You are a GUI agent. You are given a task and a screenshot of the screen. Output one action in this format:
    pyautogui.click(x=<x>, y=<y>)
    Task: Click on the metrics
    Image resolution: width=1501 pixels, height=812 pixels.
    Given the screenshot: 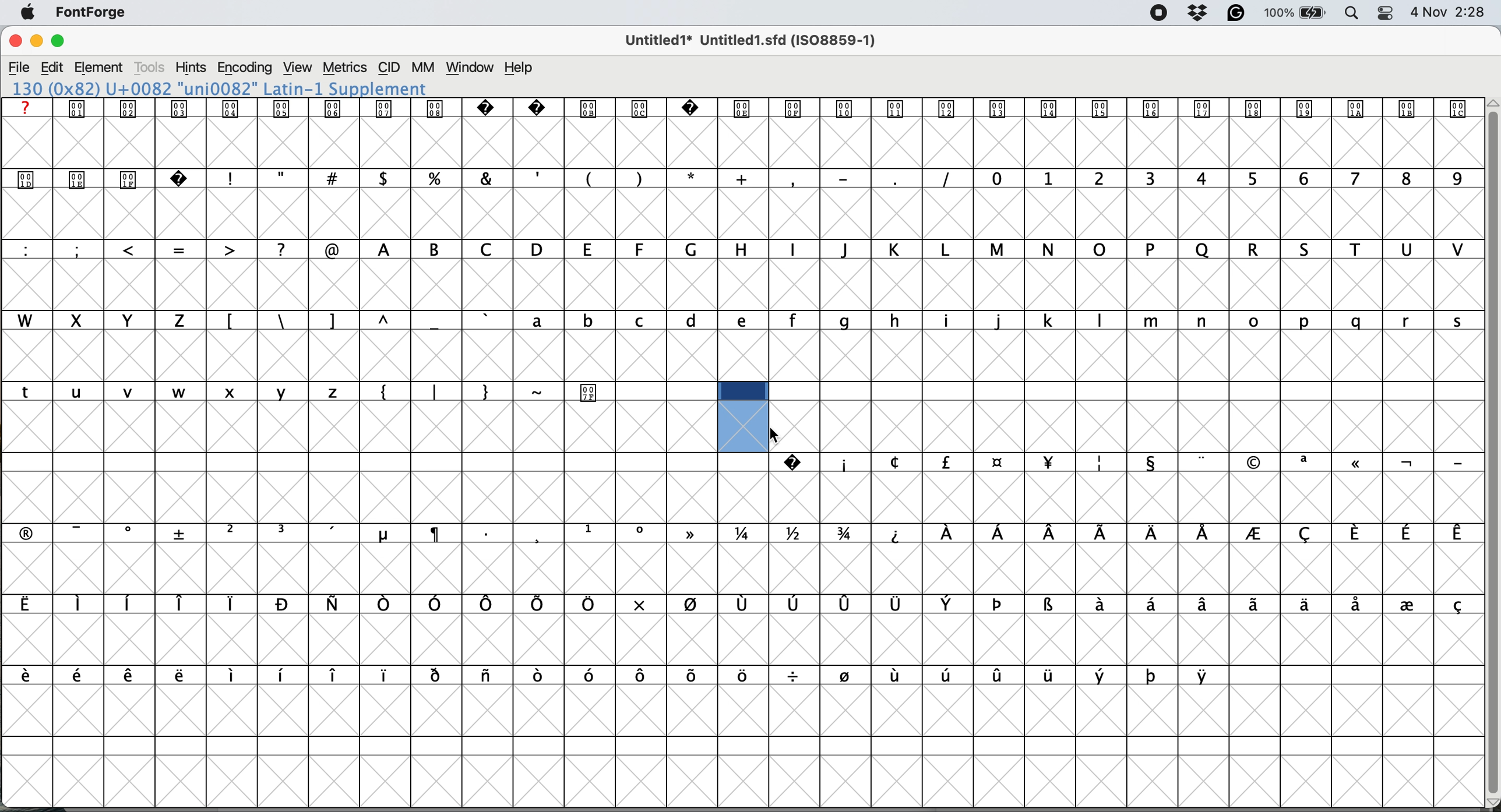 What is the action you would take?
    pyautogui.click(x=344, y=68)
    